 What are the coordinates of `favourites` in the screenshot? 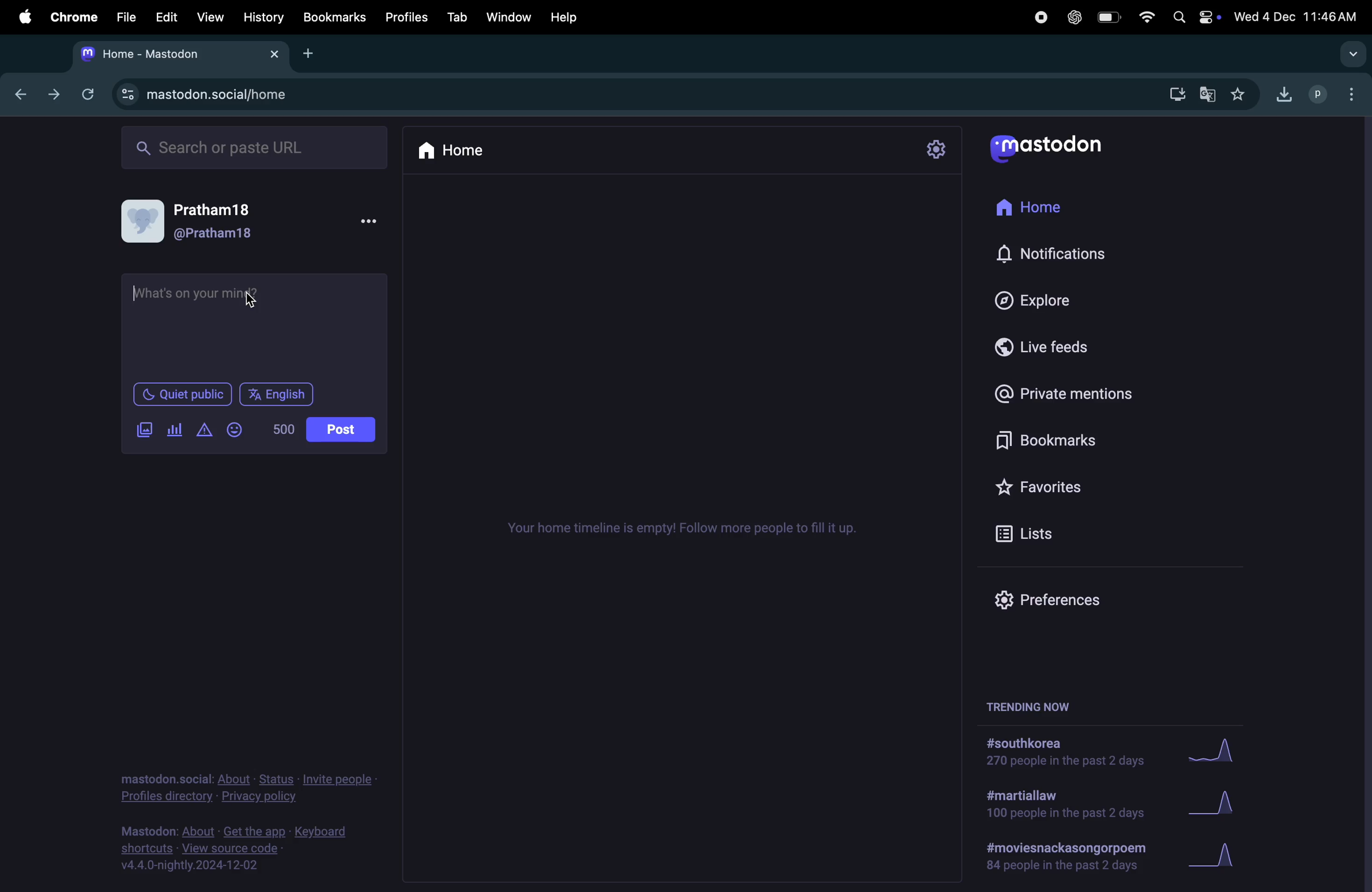 It's located at (1073, 483).